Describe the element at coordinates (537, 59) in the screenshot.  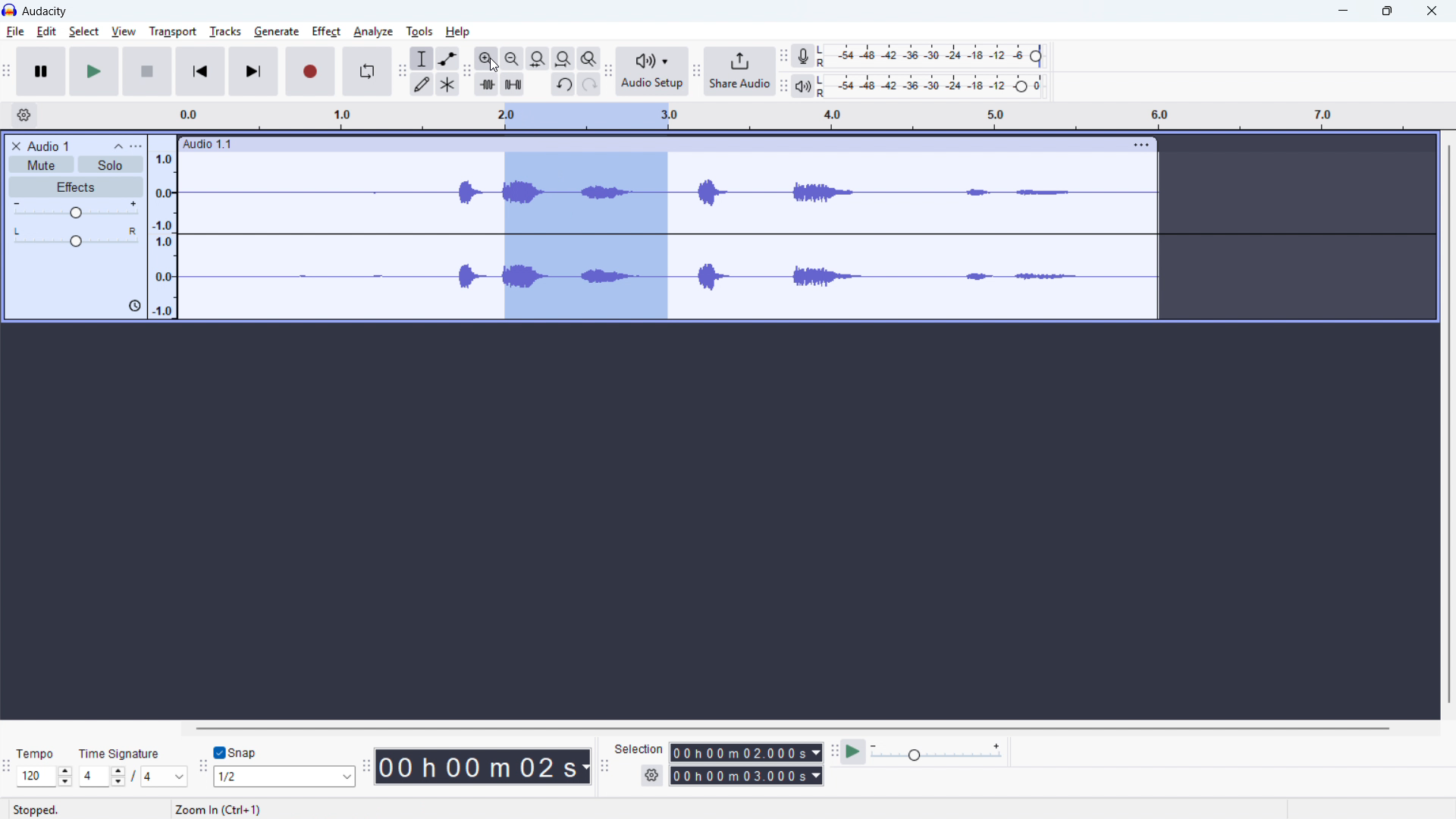
I see `Fit selection to width` at that location.